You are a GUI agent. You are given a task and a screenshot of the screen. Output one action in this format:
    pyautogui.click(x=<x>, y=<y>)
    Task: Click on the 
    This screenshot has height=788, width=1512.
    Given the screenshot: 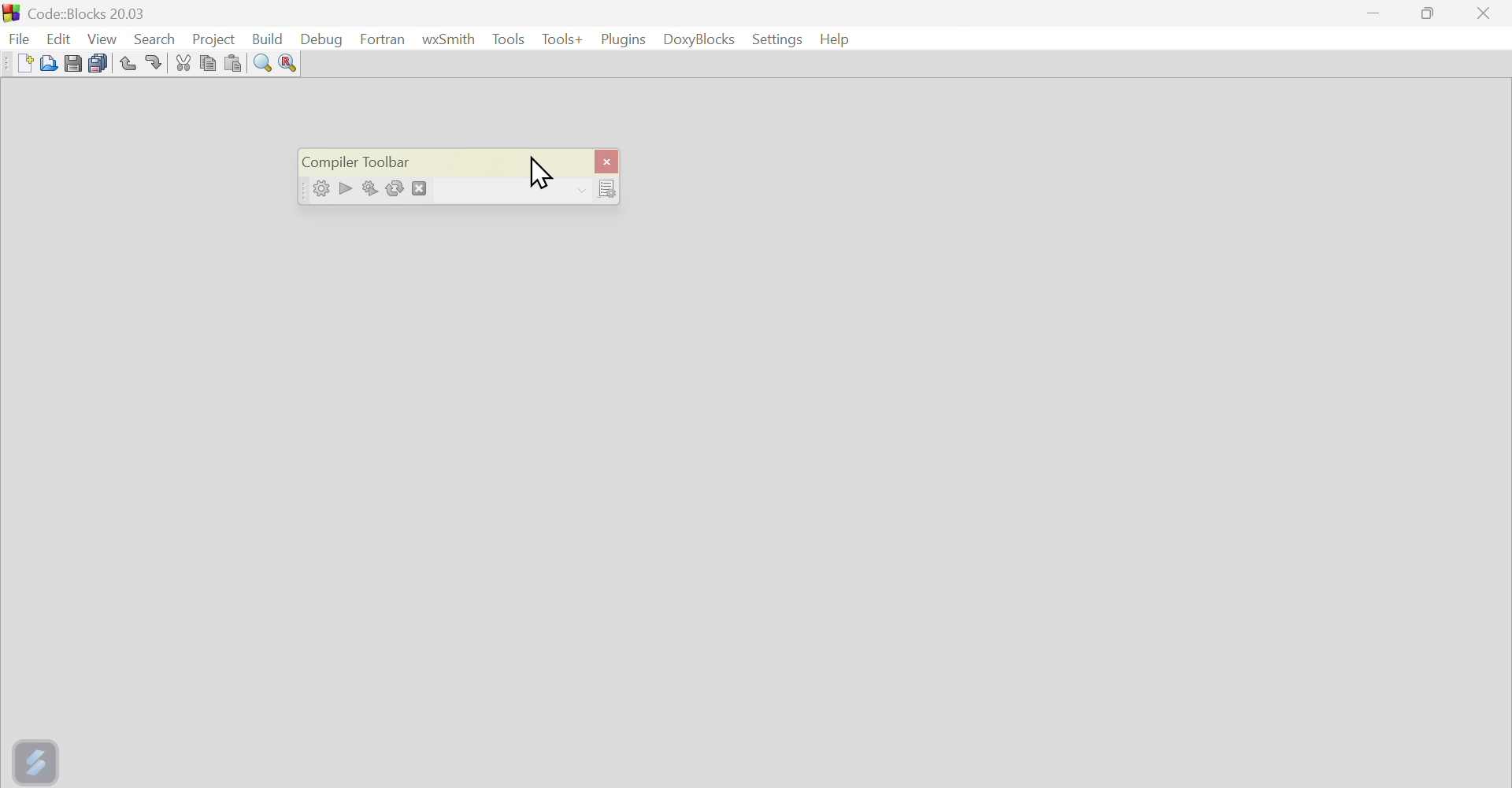 What is the action you would take?
    pyautogui.click(x=264, y=64)
    